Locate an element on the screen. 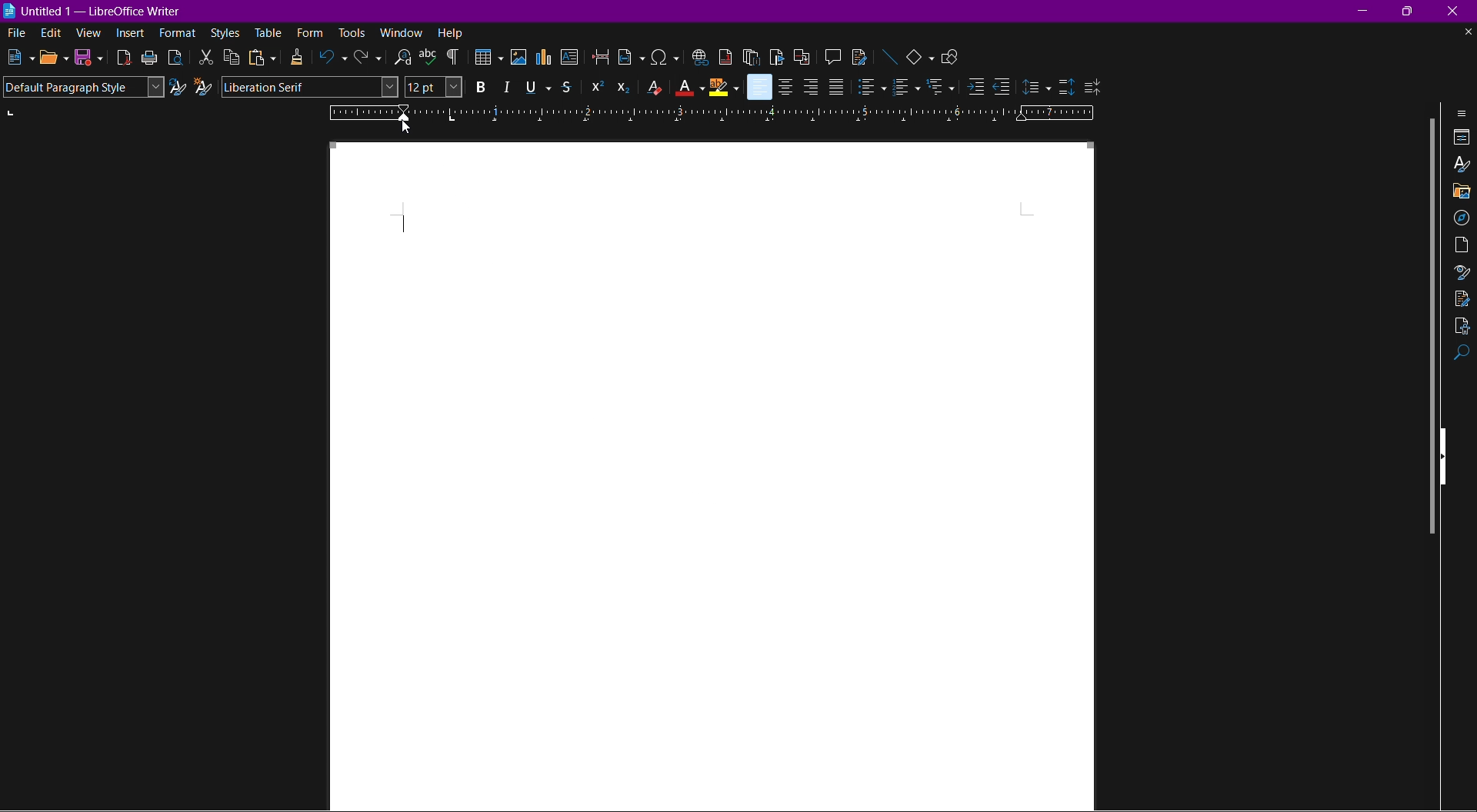 The image size is (1477, 812). Page is located at coordinates (1462, 245).